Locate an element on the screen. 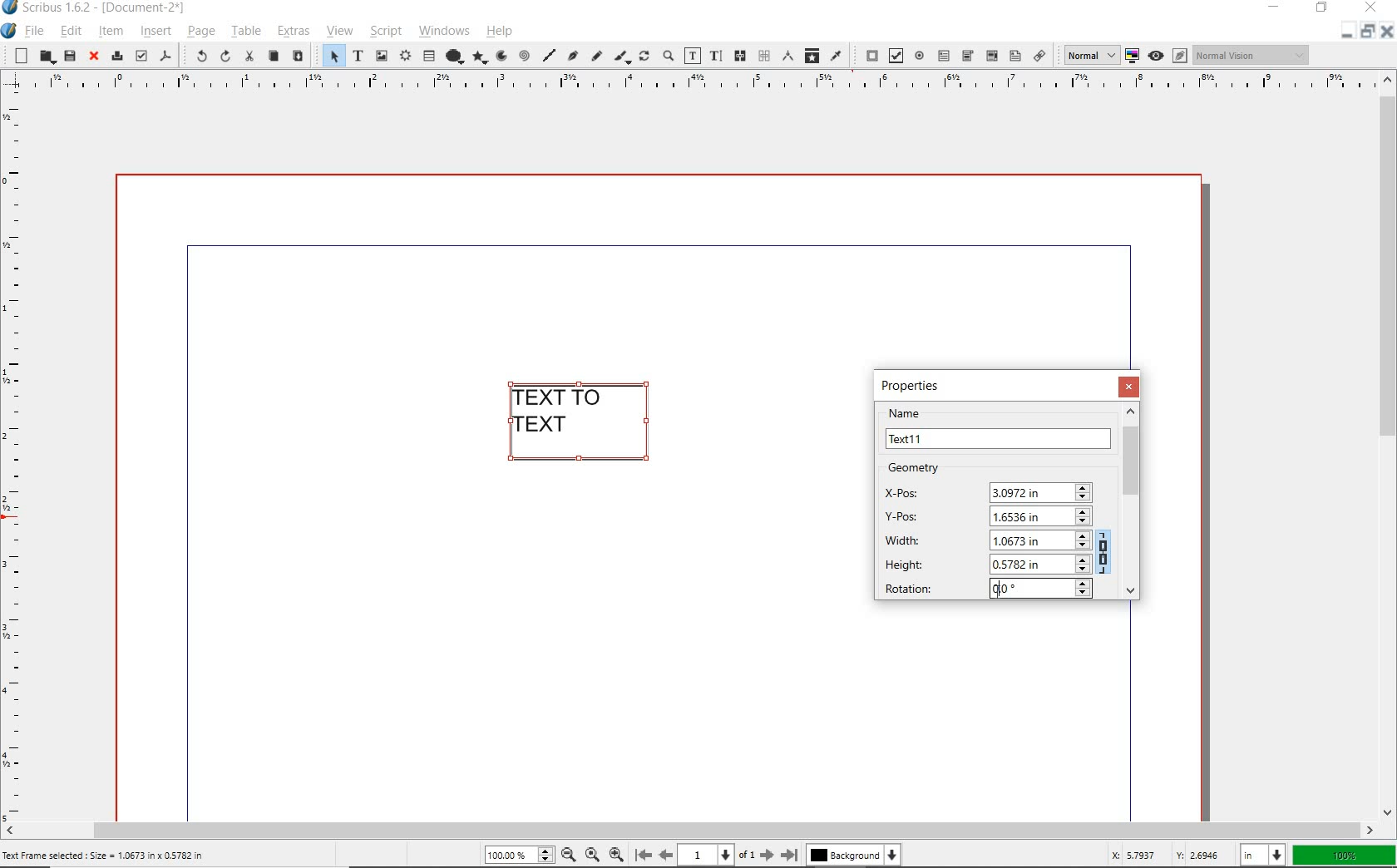  zoom to is located at coordinates (595, 855).